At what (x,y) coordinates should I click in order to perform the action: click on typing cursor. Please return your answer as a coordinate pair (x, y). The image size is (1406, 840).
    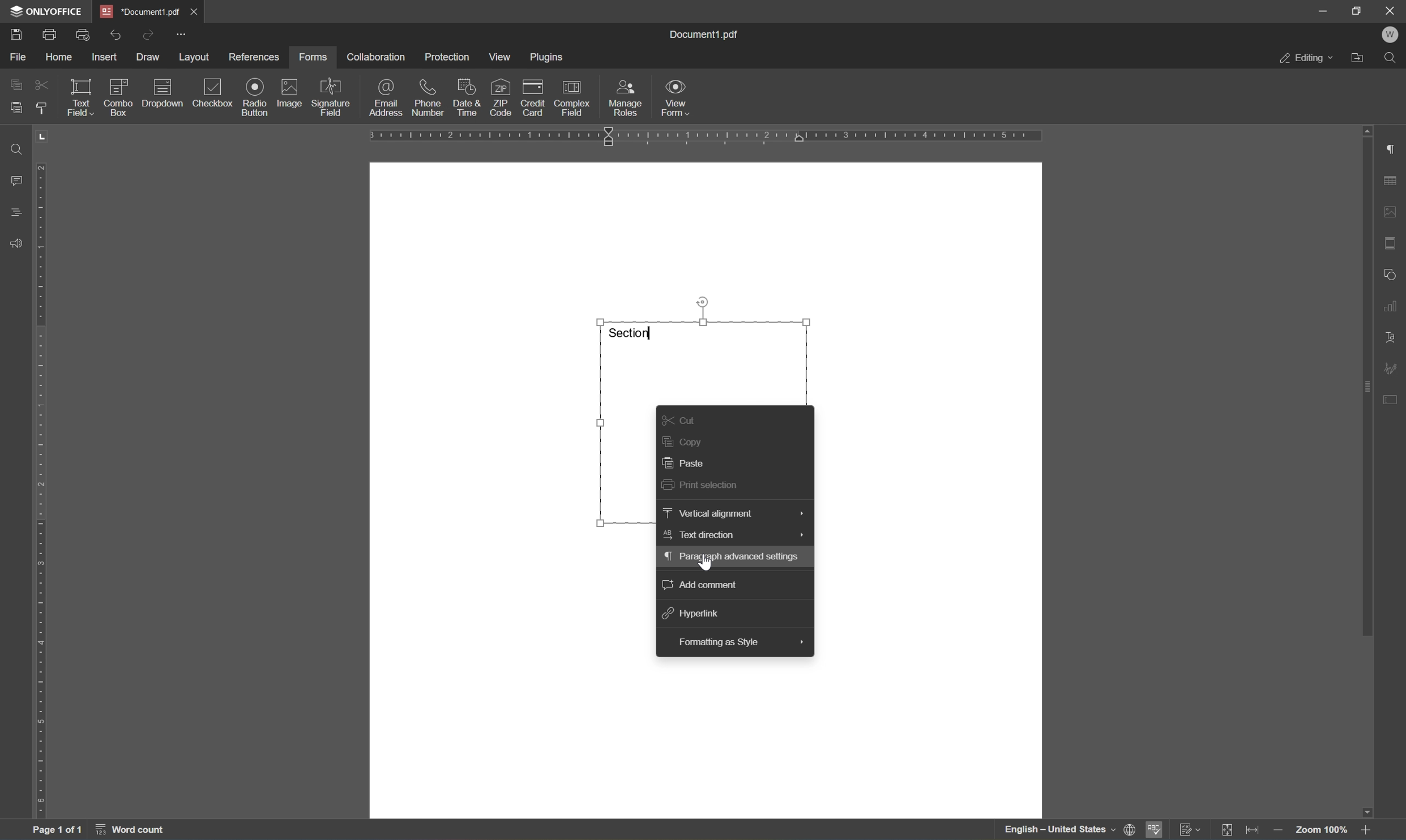
    Looking at the image, I should click on (652, 331).